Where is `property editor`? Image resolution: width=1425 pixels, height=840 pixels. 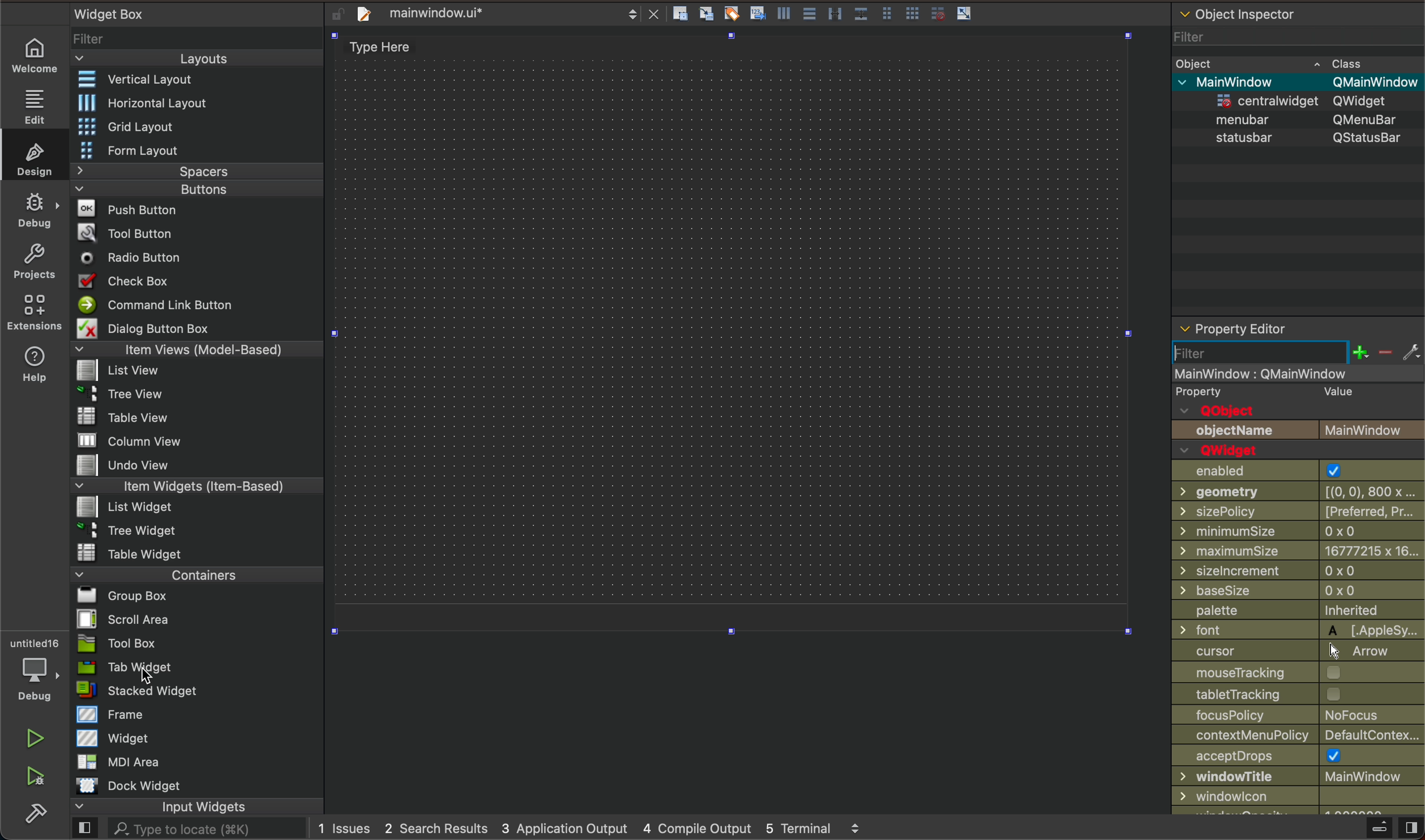 property editor is located at coordinates (1286, 326).